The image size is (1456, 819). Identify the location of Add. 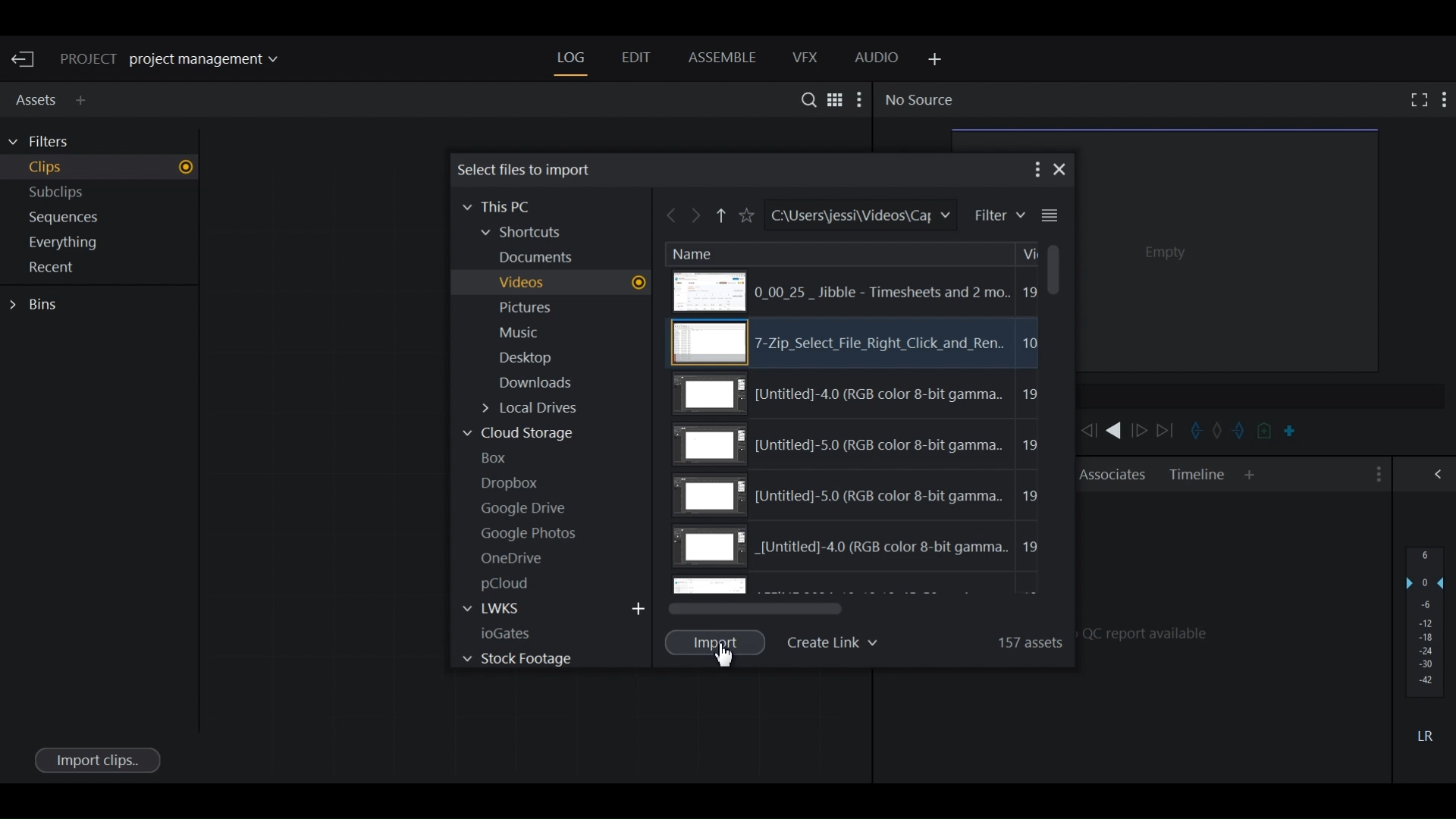
(639, 607).